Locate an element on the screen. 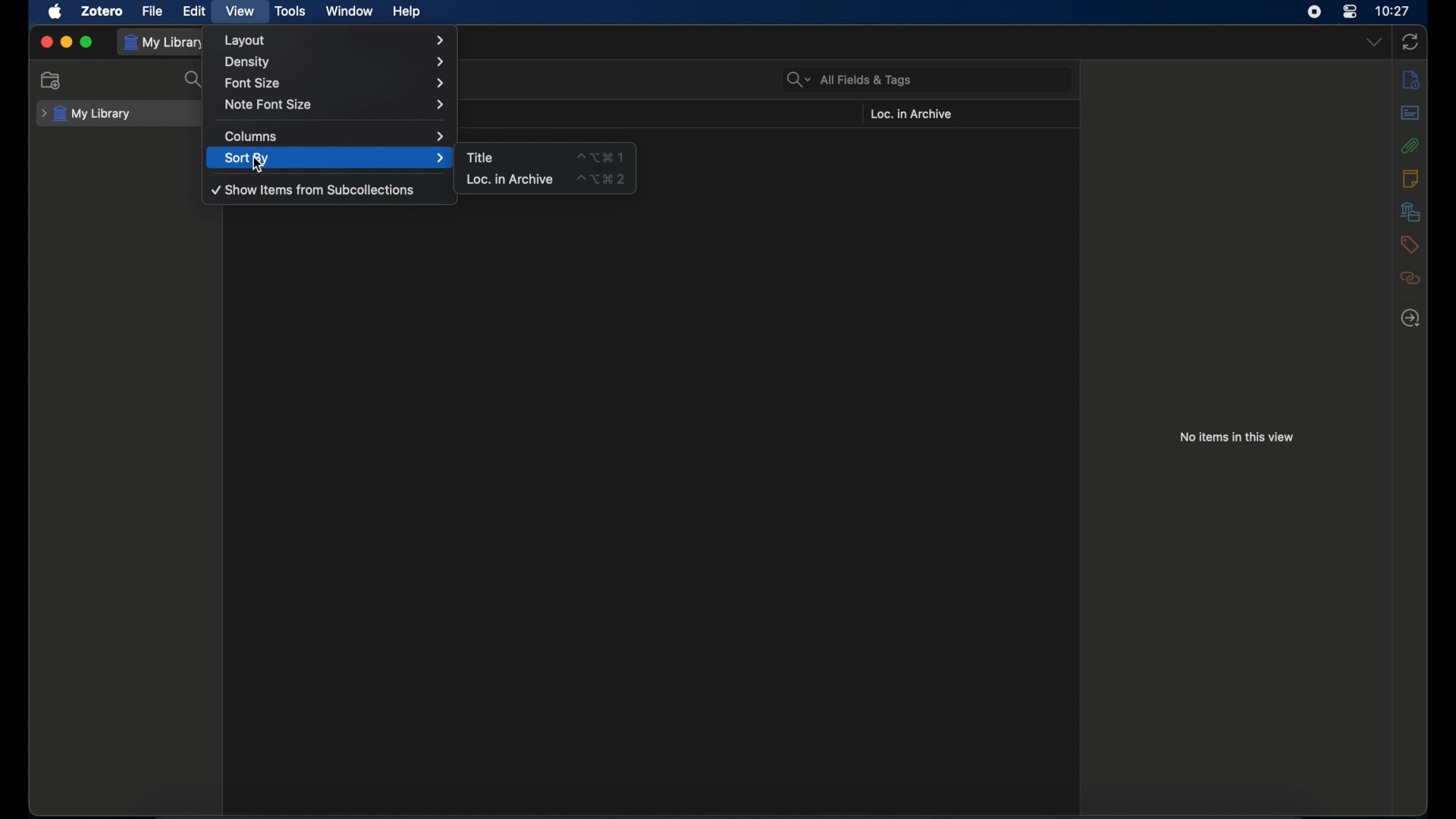  window is located at coordinates (350, 11).